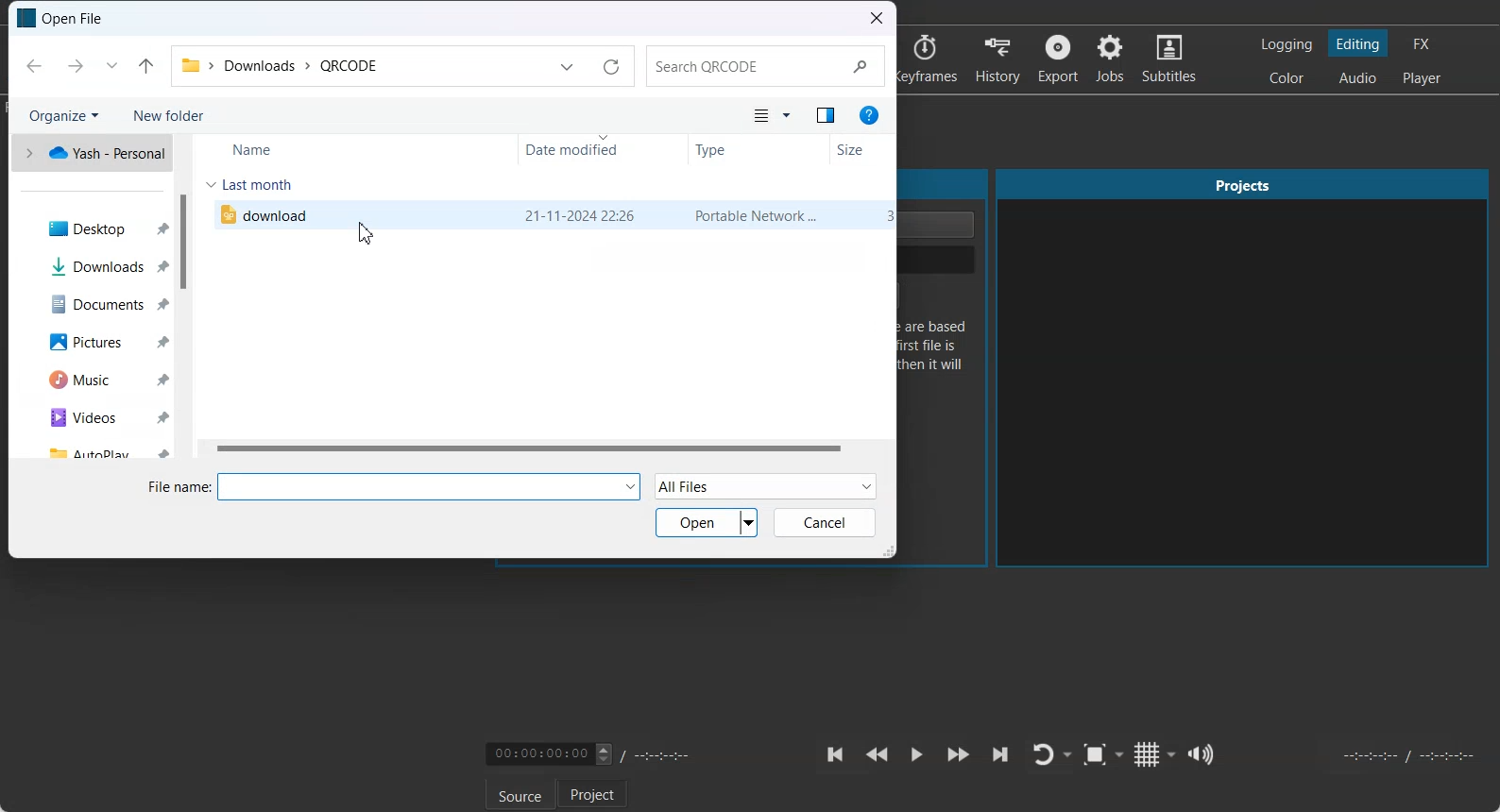  What do you see at coordinates (1423, 43) in the screenshot?
I see `Switching to the Effect layout` at bounding box center [1423, 43].